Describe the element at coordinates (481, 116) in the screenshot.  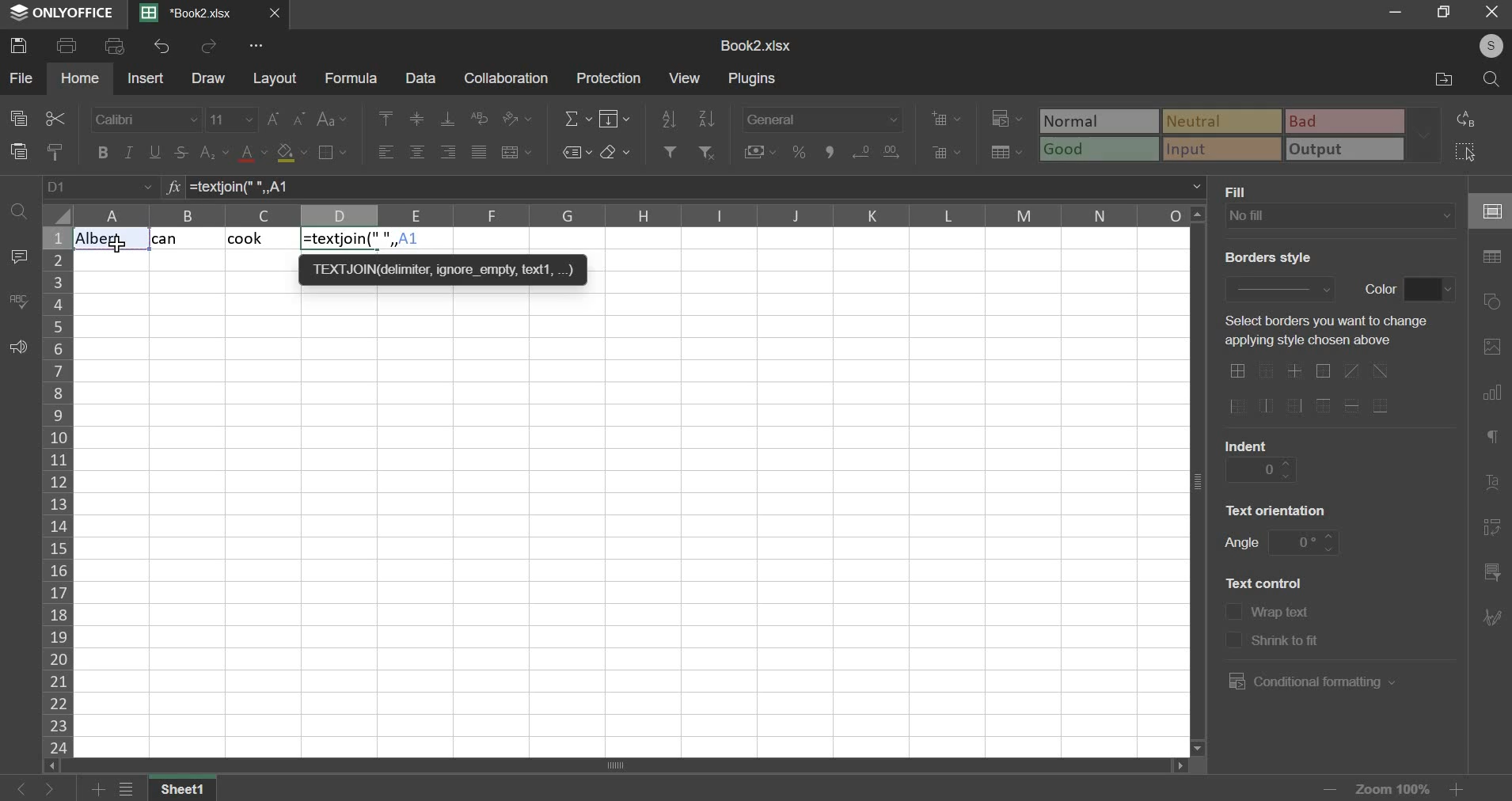
I see `wrap text` at that location.